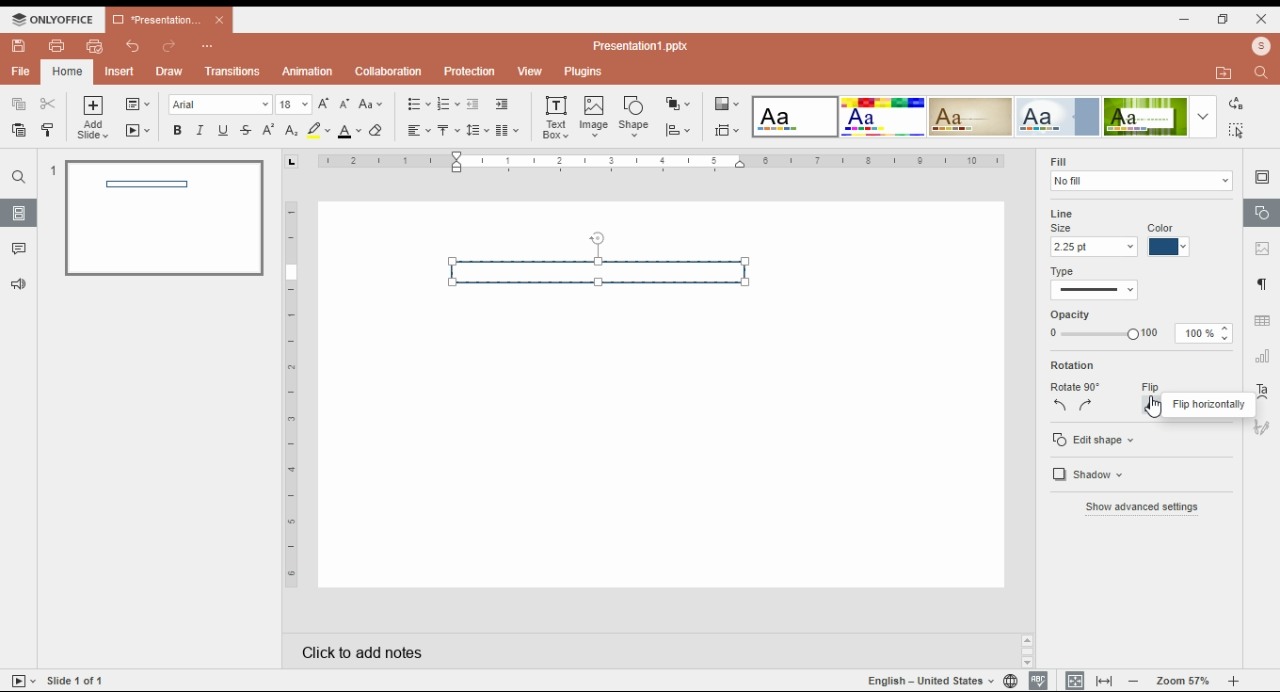 Image resolution: width=1280 pixels, height=692 pixels. Describe the element at coordinates (293, 104) in the screenshot. I see `font size` at that location.